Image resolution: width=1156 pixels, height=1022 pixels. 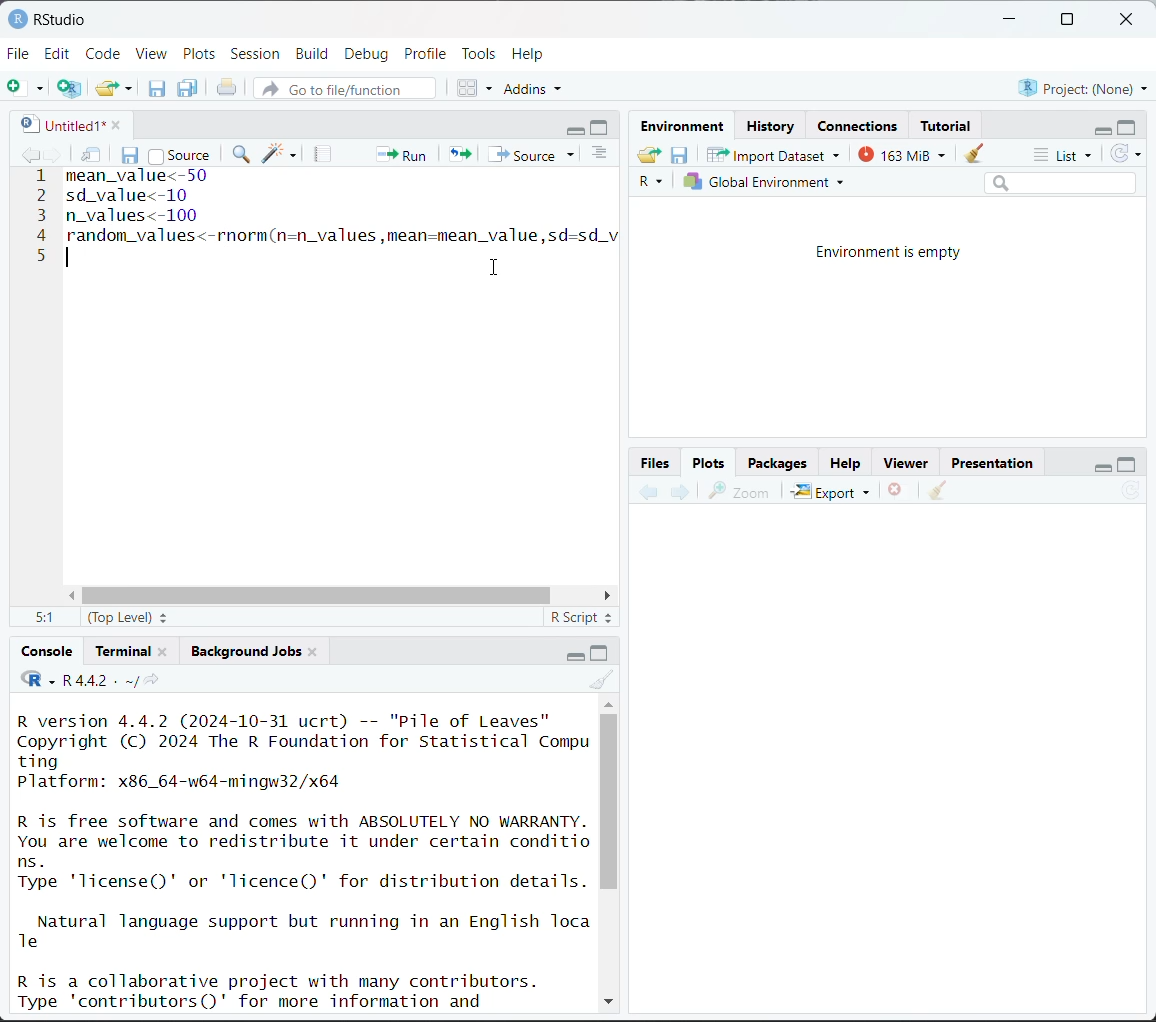 I want to click on Tools, so click(x=479, y=52).